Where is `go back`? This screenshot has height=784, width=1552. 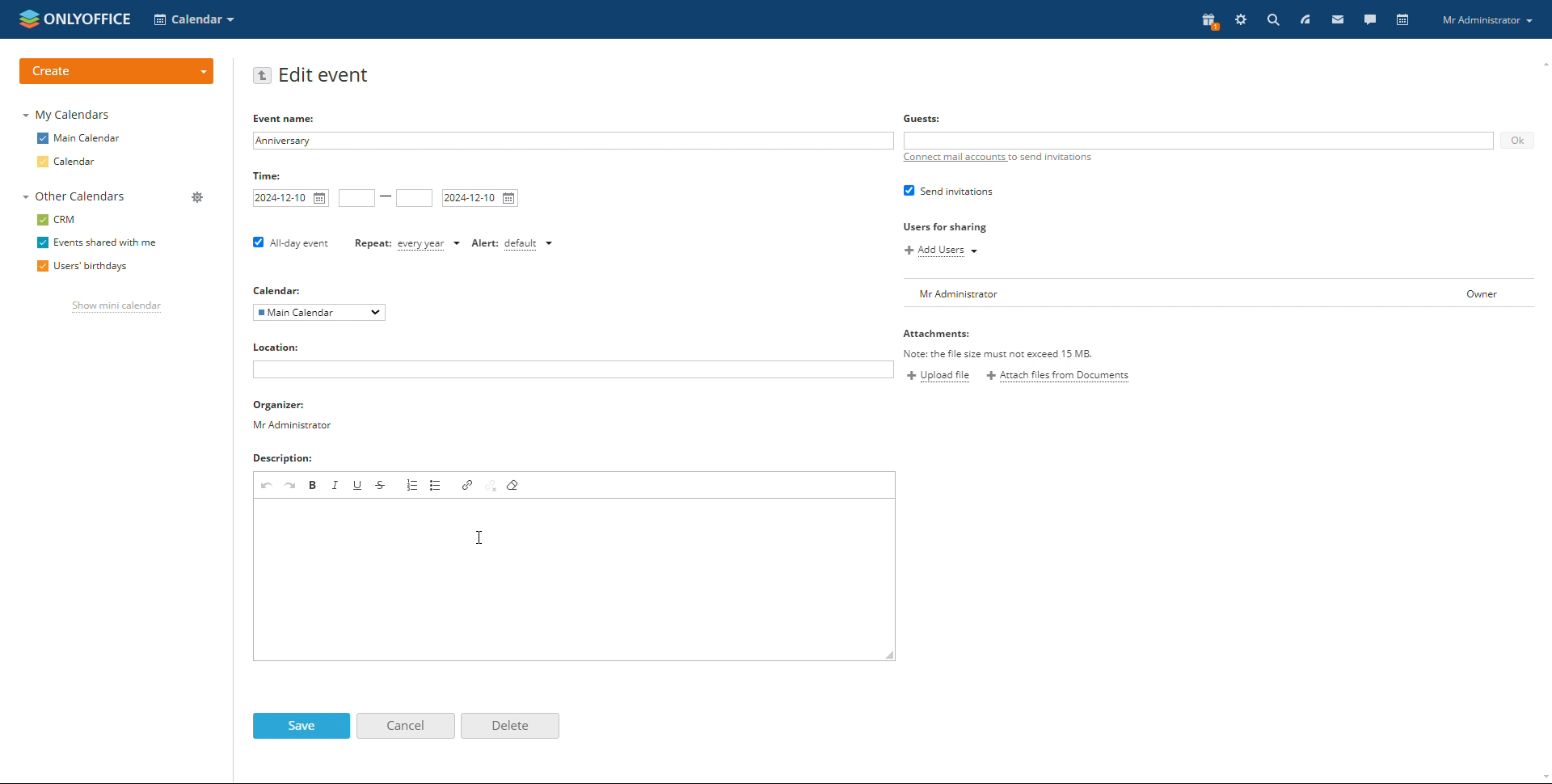
go back is located at coordinates (263, 75).